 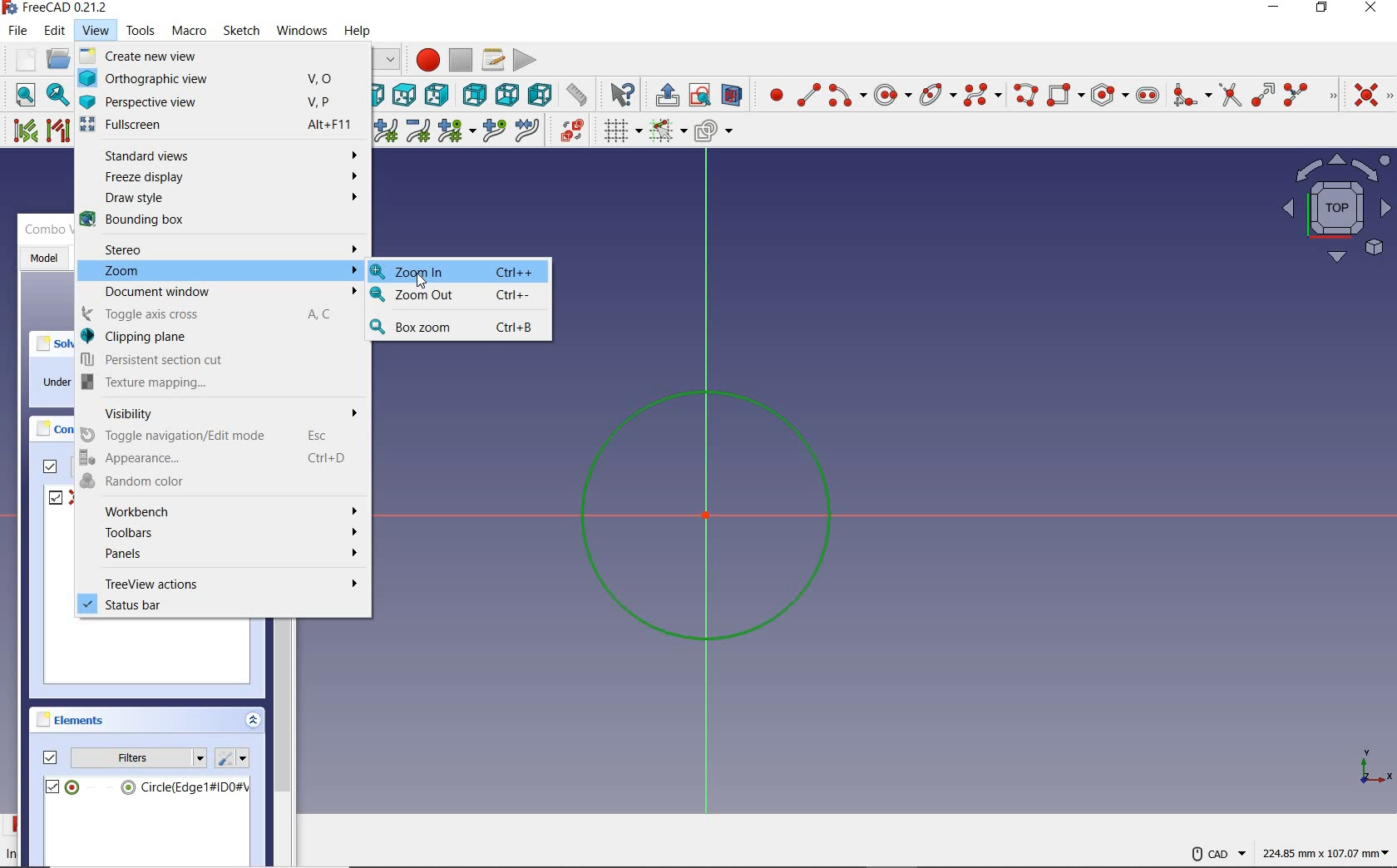 What do you see at coordinates (426, 59) in the screenshot?
I see `macro recording` at bounding box center [426, 59].